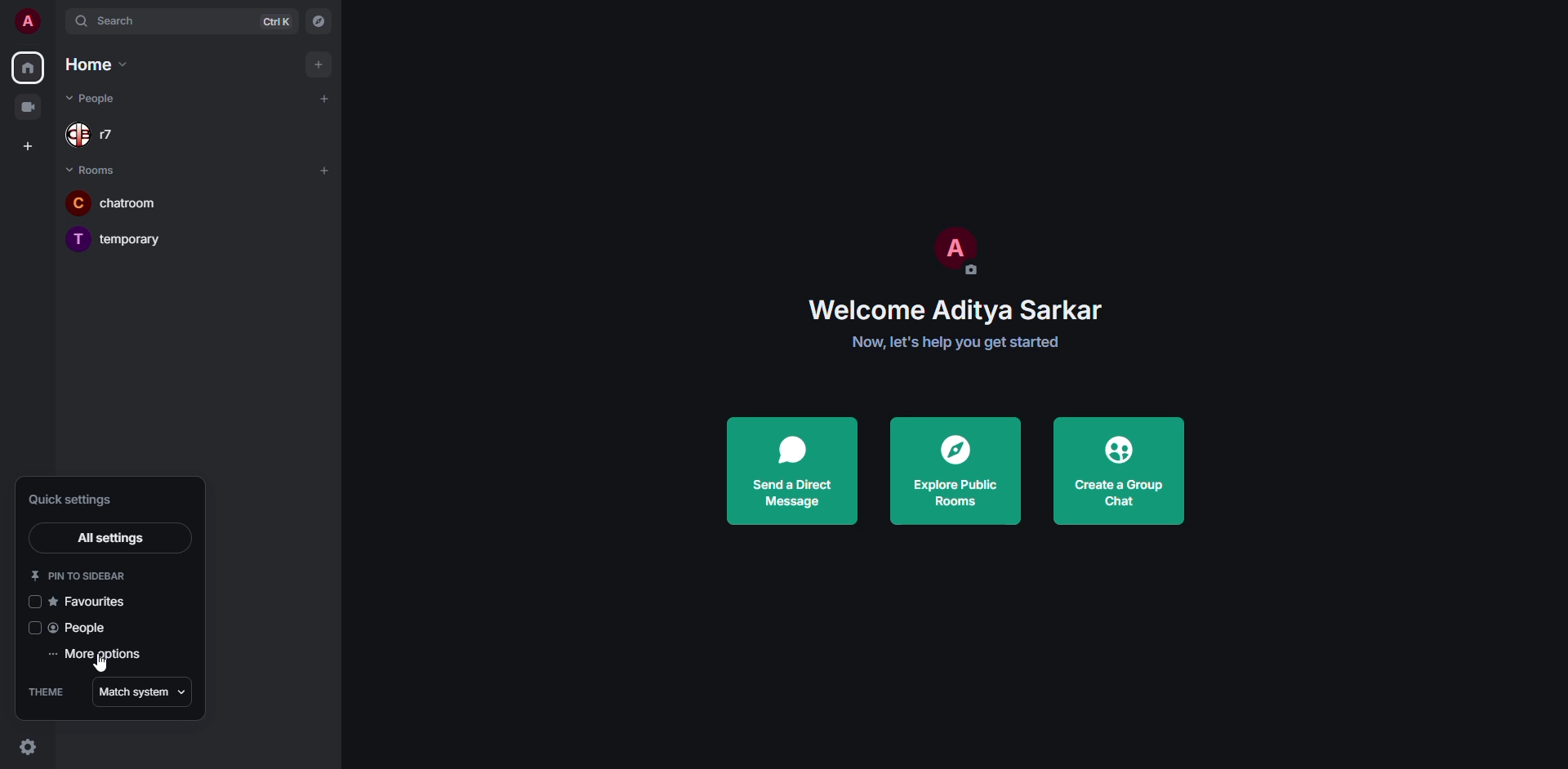 This screenshot has width=1568, height=769. Describe the element at coordinates (94, 170) in the screenshot. I see `rooms` at that location.